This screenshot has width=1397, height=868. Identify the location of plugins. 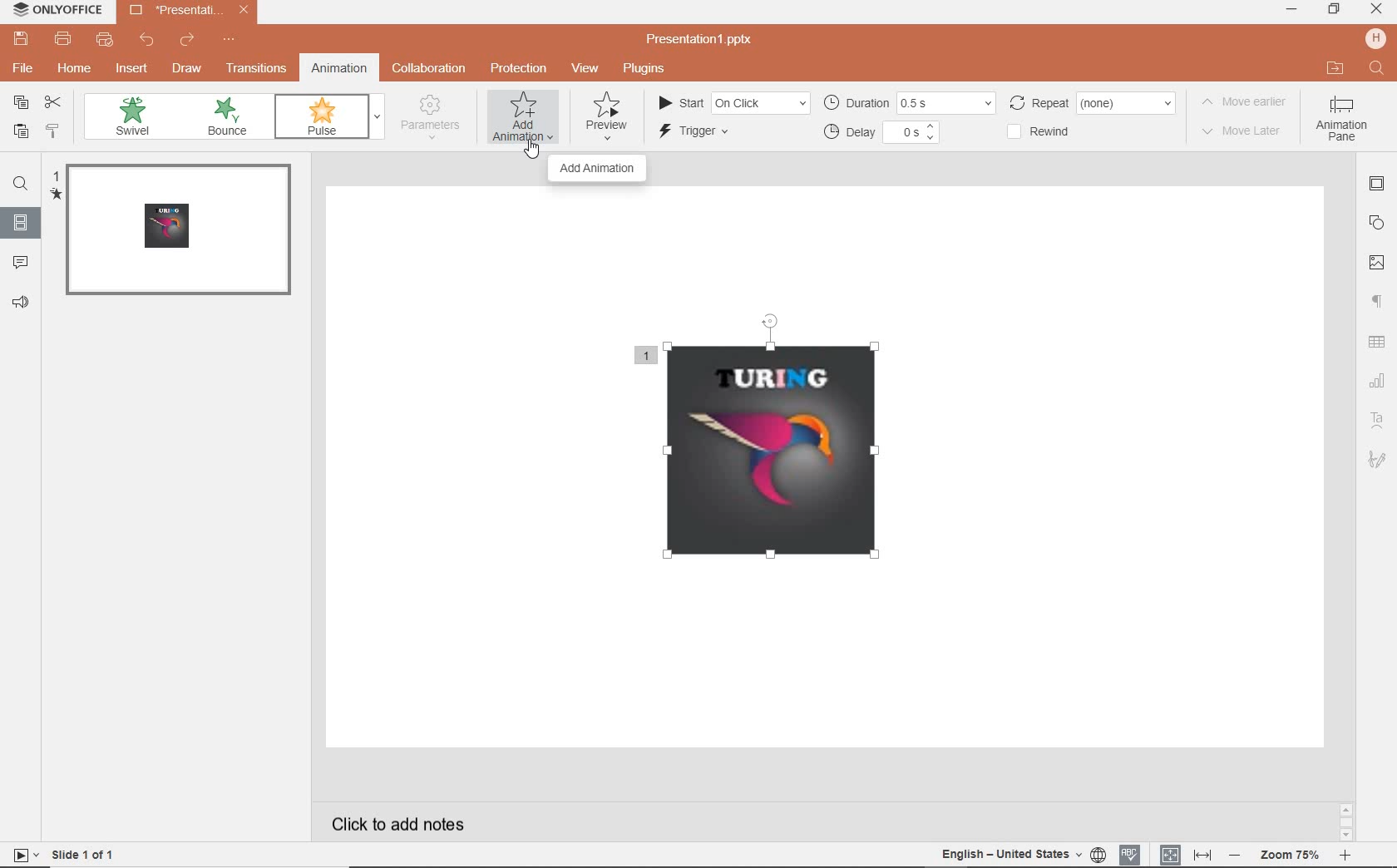
(645, 70).